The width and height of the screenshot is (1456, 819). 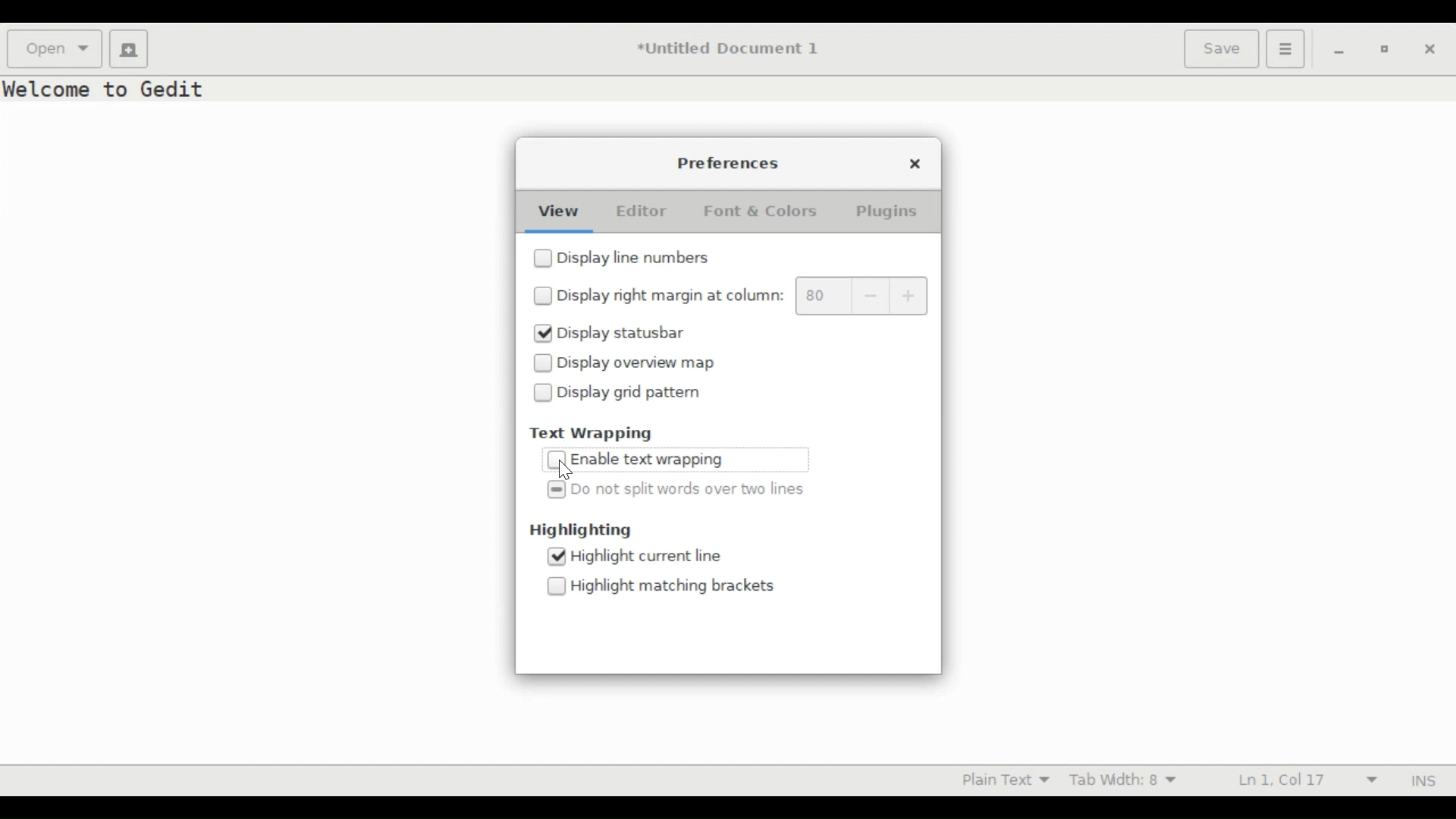 What do you see at coordinates (557, 588) in the screenshot?
I see `checkbox` at bounding box center [557, 588].